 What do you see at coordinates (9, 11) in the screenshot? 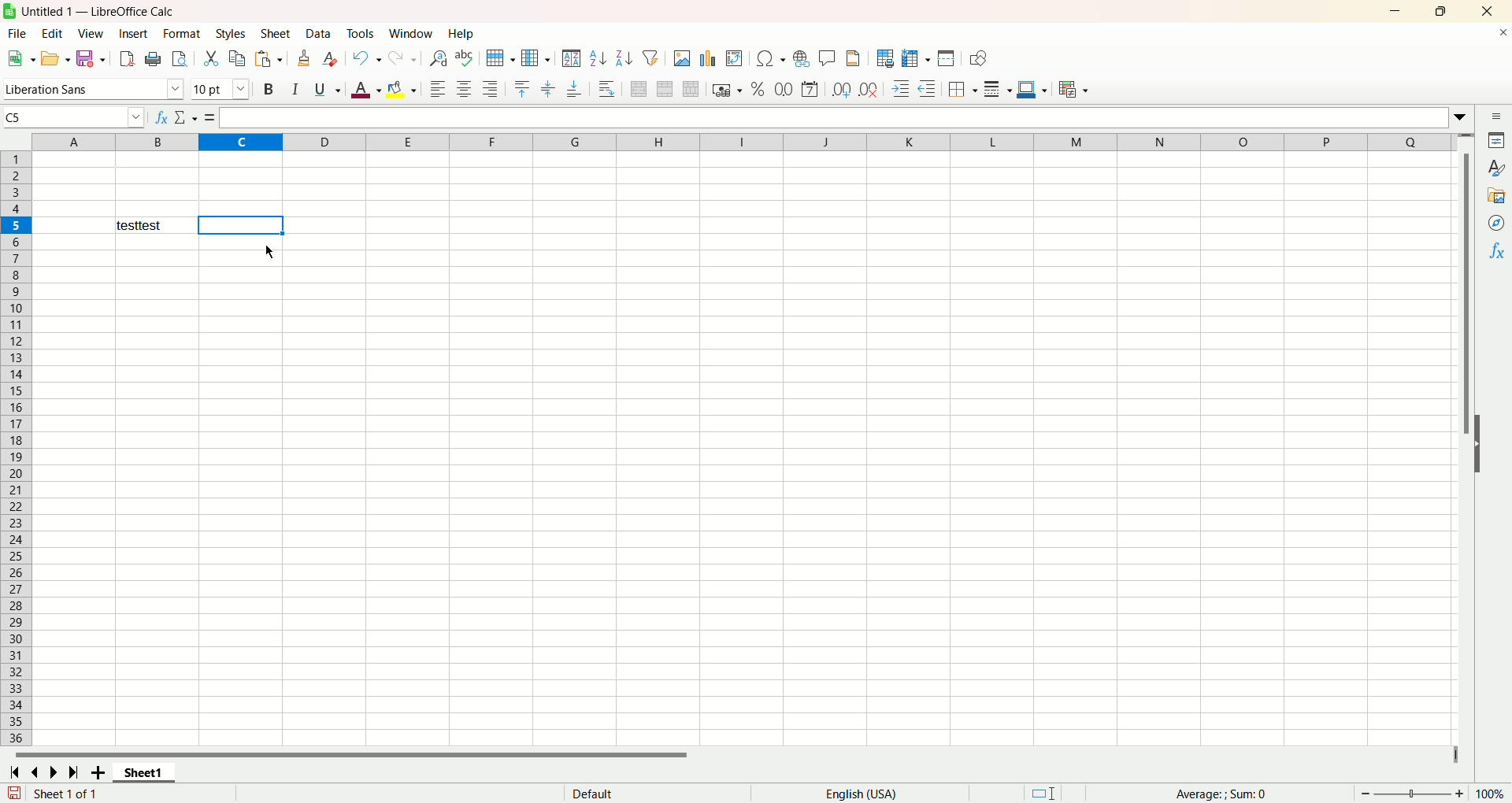
I see `logo` at bounding box center [9, 11].